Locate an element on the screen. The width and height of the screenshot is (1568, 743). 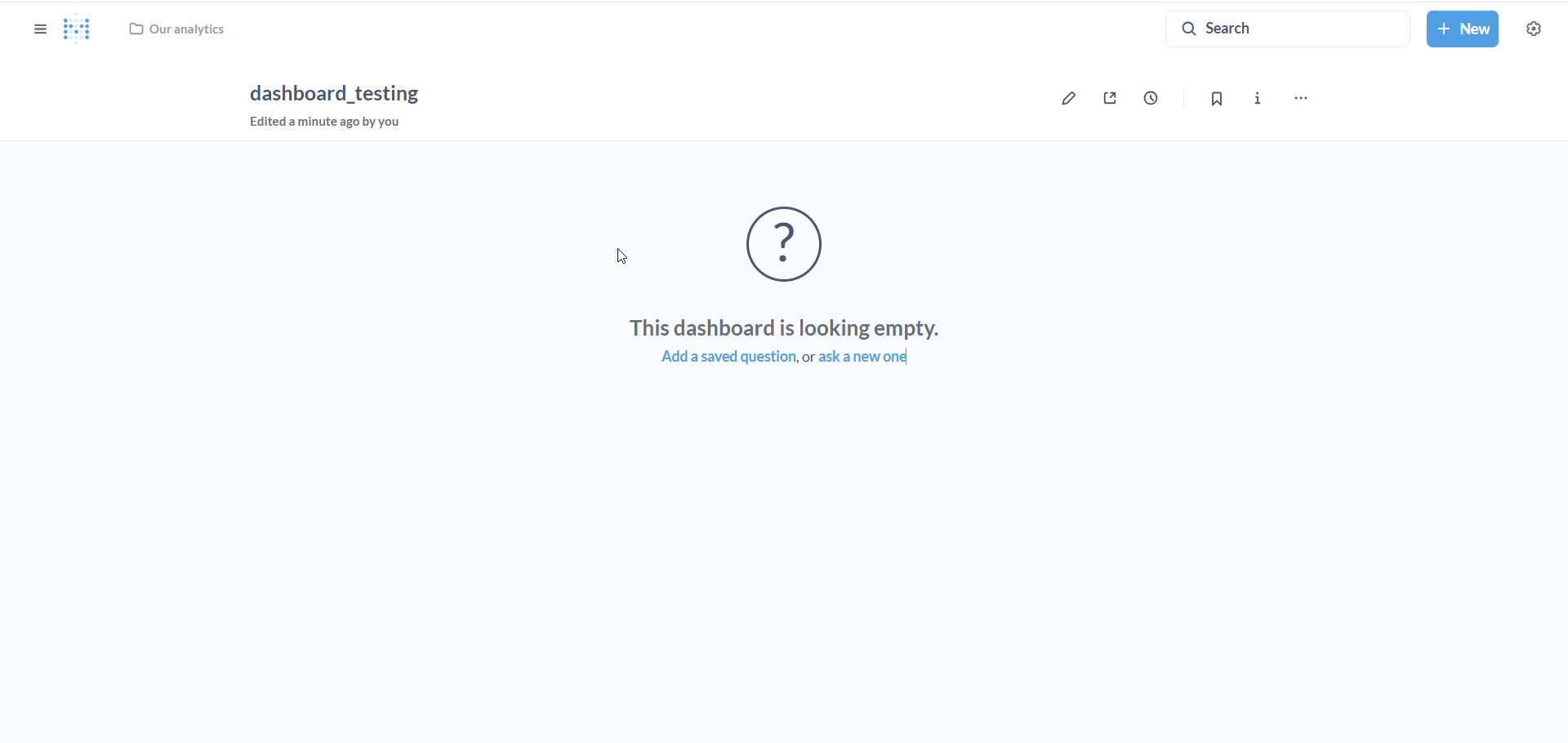
Metabase logo is located at coordinates (87, 29).